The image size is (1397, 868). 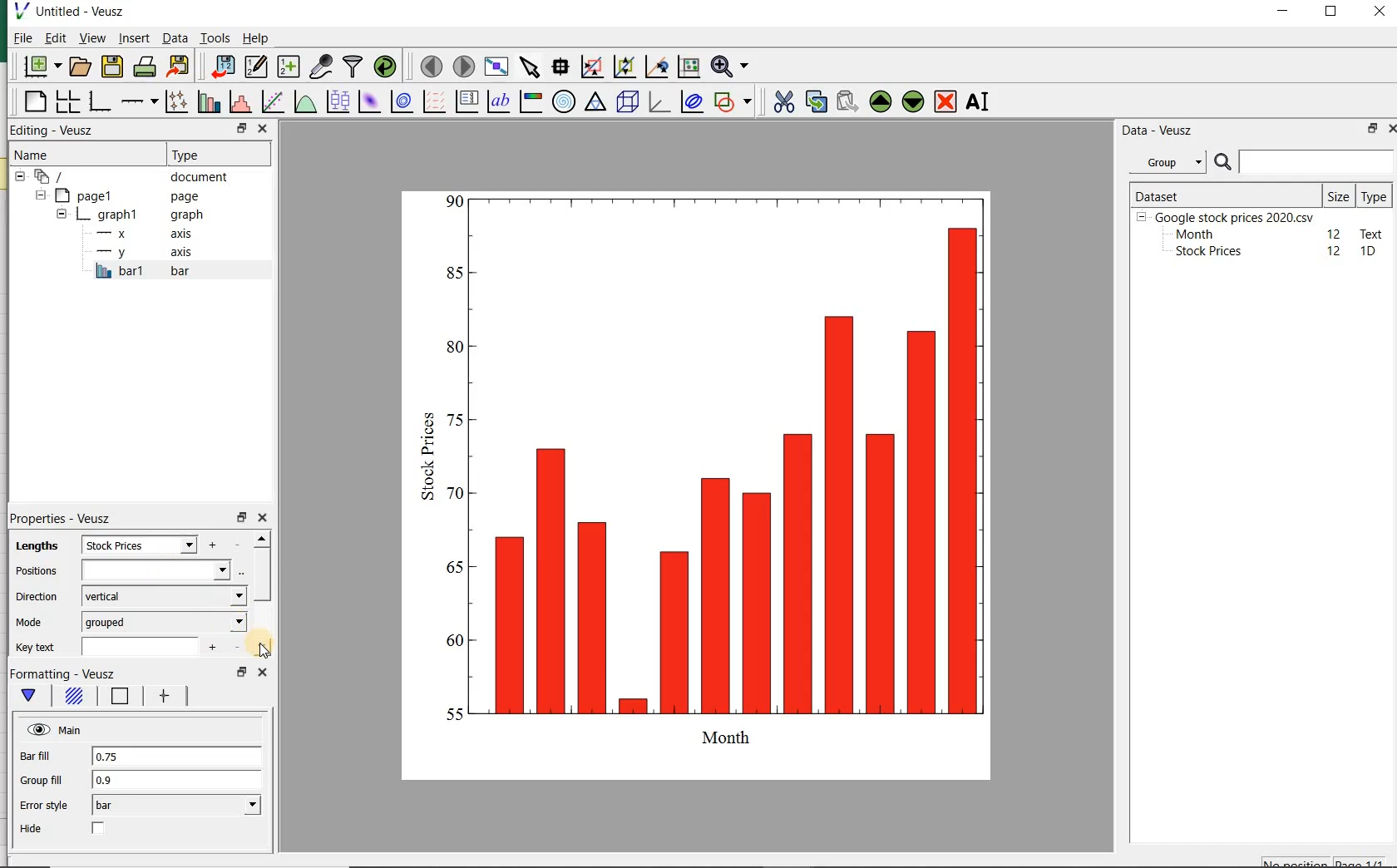 What do you see at coordinates (1339, 195) in the screenshot?
I see `Size` at bounding box center [1339, 195].